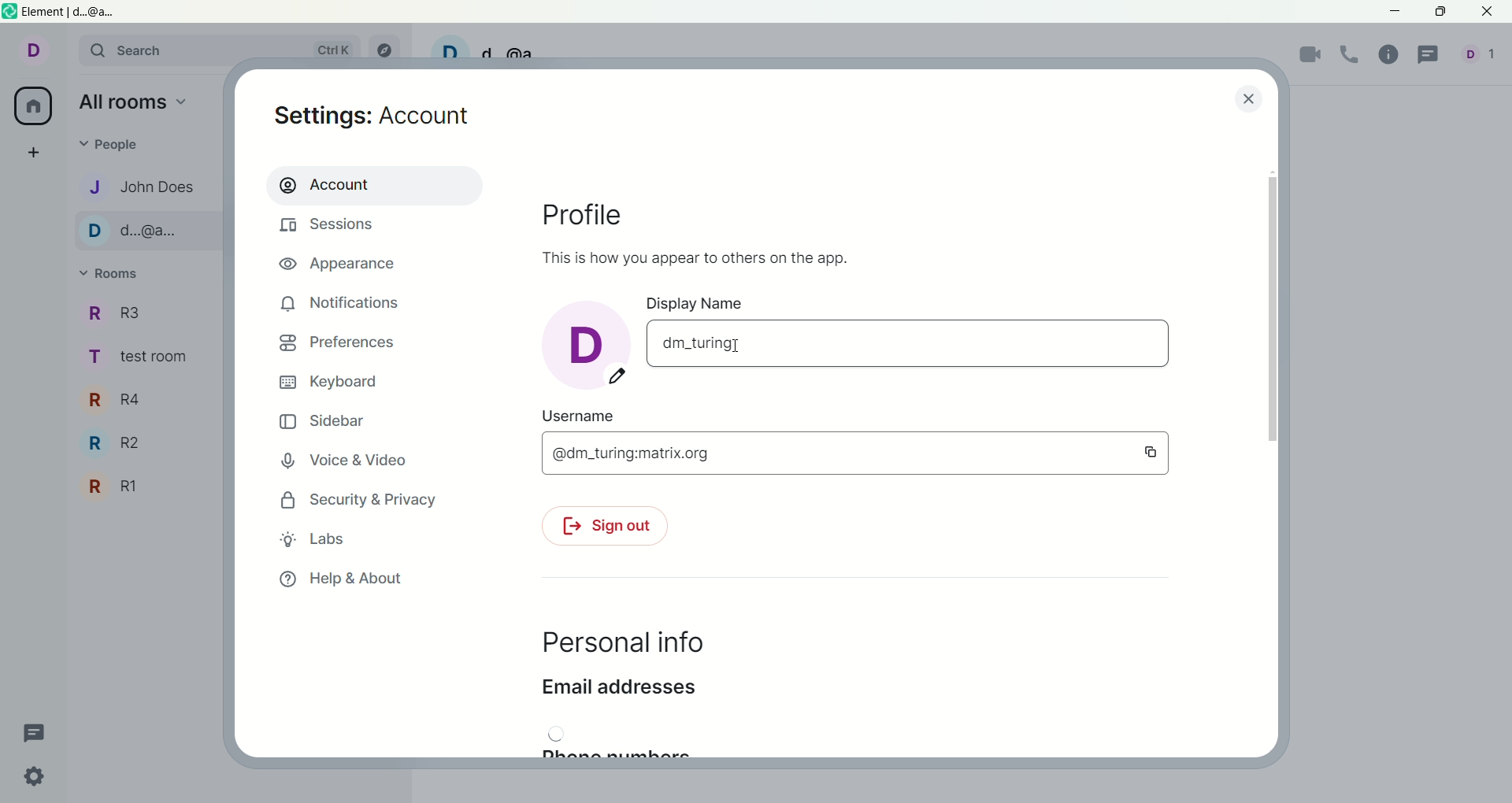 This screenshot has width=1512, height=803. I want to click on This is how you appear to others on the app, so click(696, 256).